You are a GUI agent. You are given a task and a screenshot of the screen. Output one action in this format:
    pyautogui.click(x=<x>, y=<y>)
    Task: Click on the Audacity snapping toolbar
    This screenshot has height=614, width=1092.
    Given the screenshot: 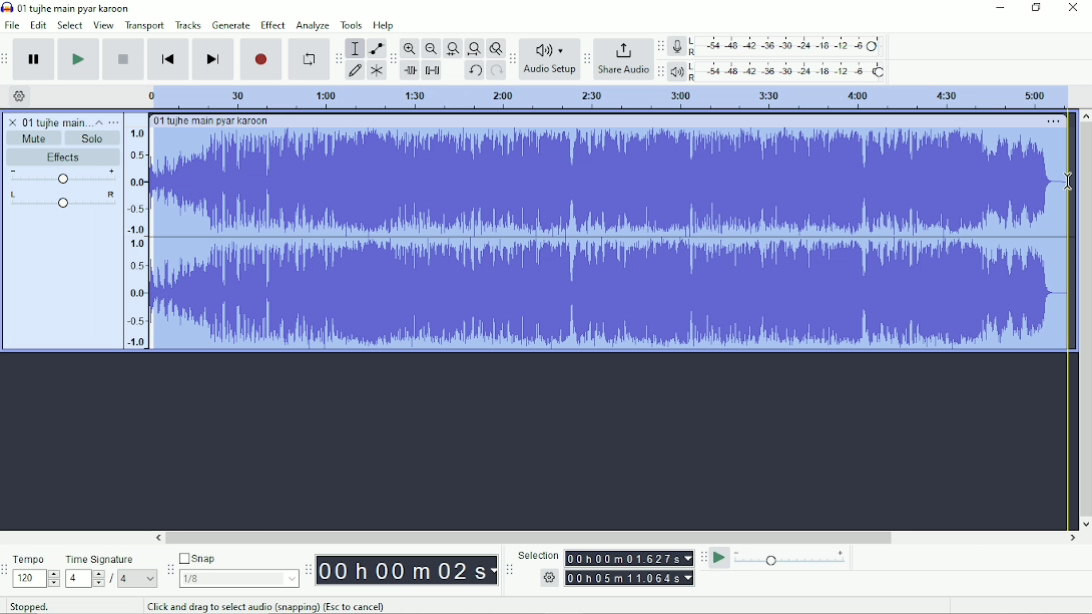 What is the action you would take?
    pyautogui.click(x=169, y=568)
    